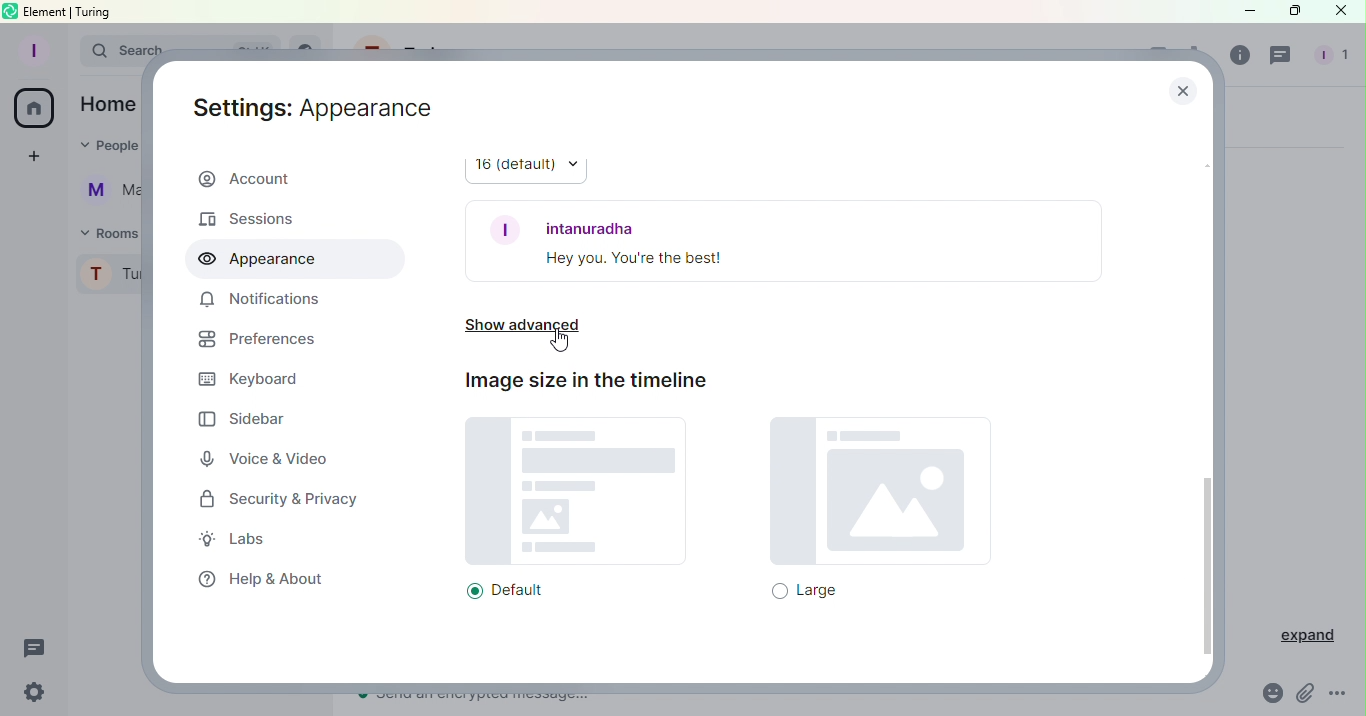 Image resolution: width=1366 pixels, height=716 pixels. What do you see at coordinates (112, 53) in the screenshot?
I see `Search` at bounding box center [112, 53].